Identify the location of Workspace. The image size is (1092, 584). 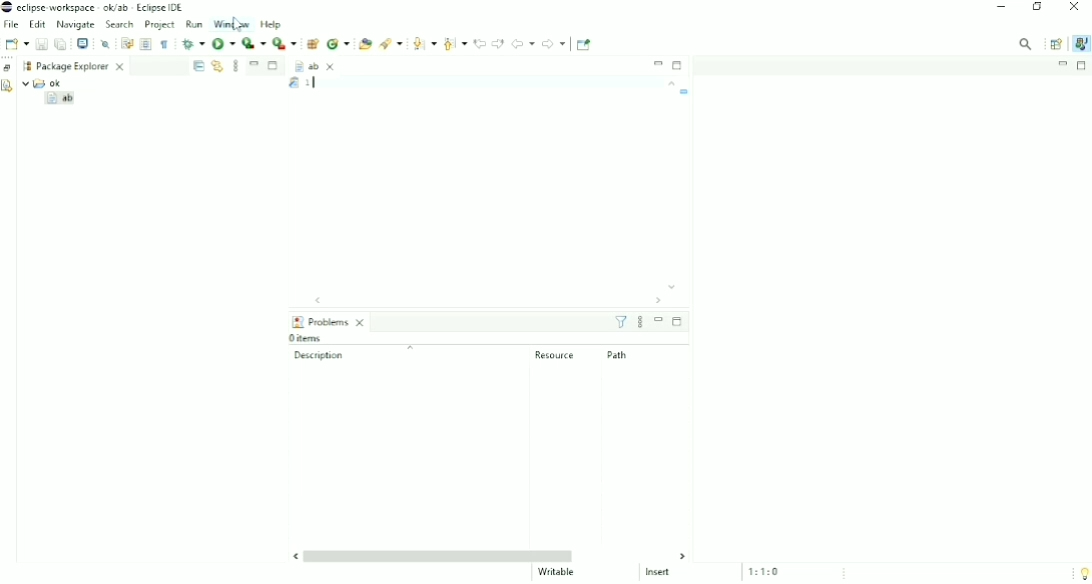
(25, 66).